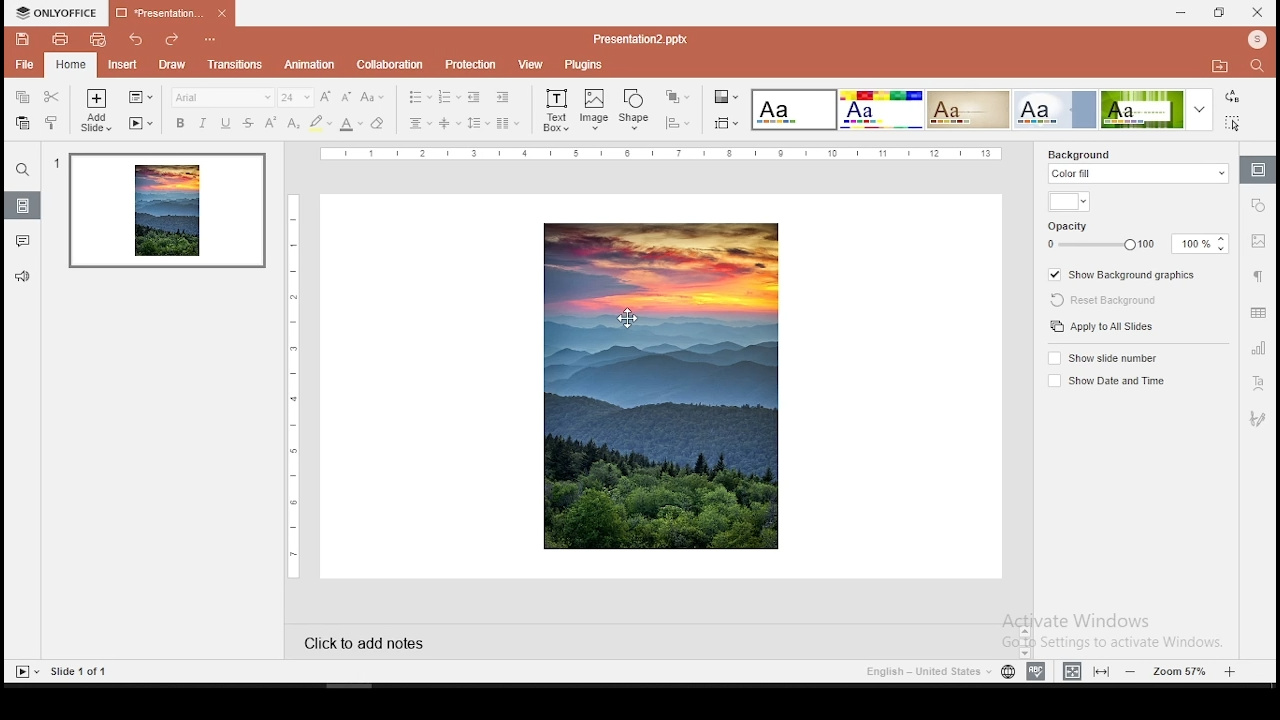  Describe the element at coordinates (794, 109) in the screenshot. I see `theme ` at that location.